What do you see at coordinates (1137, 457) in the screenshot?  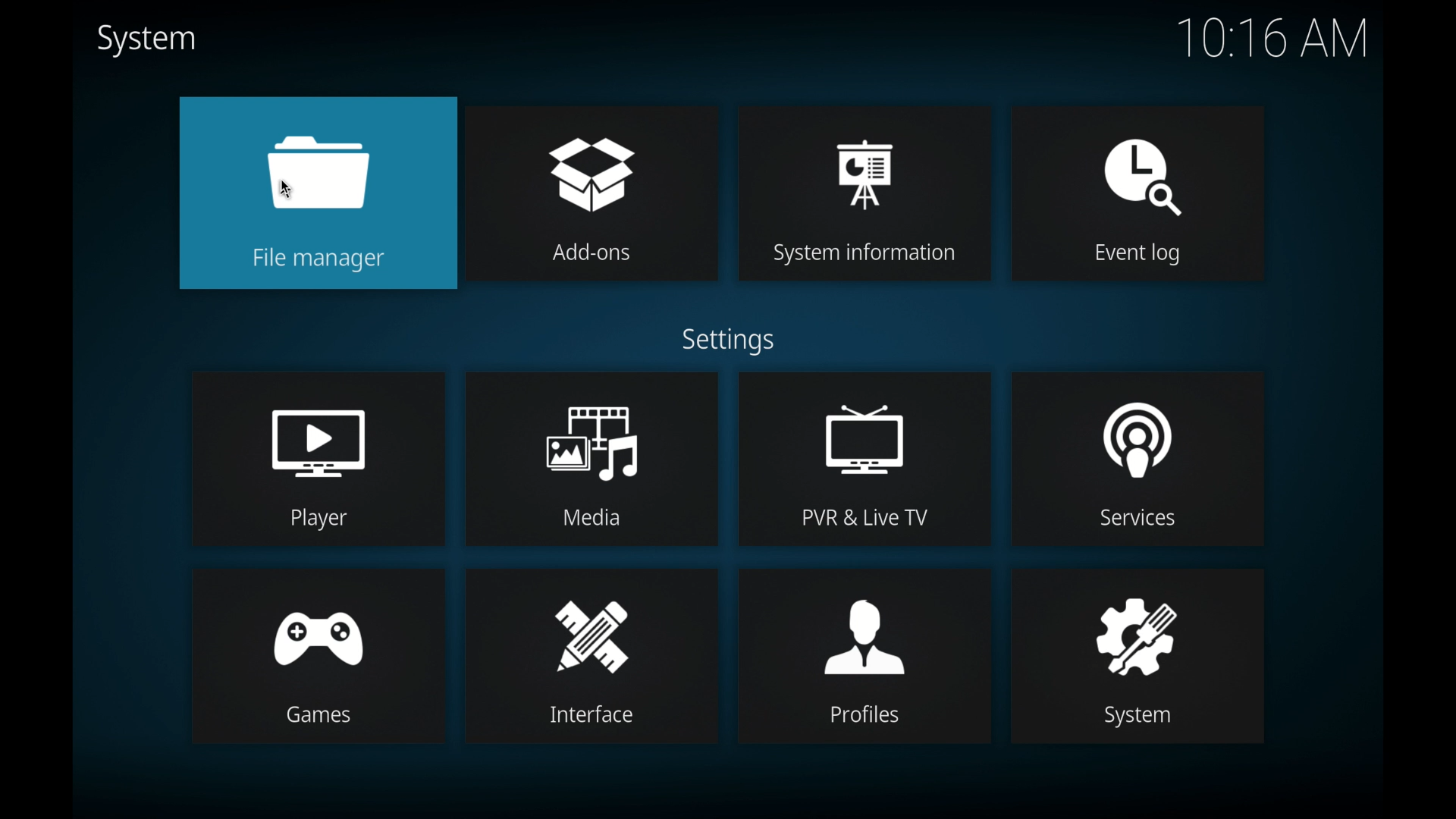 I see `services` at bounding box center [1137, 457].